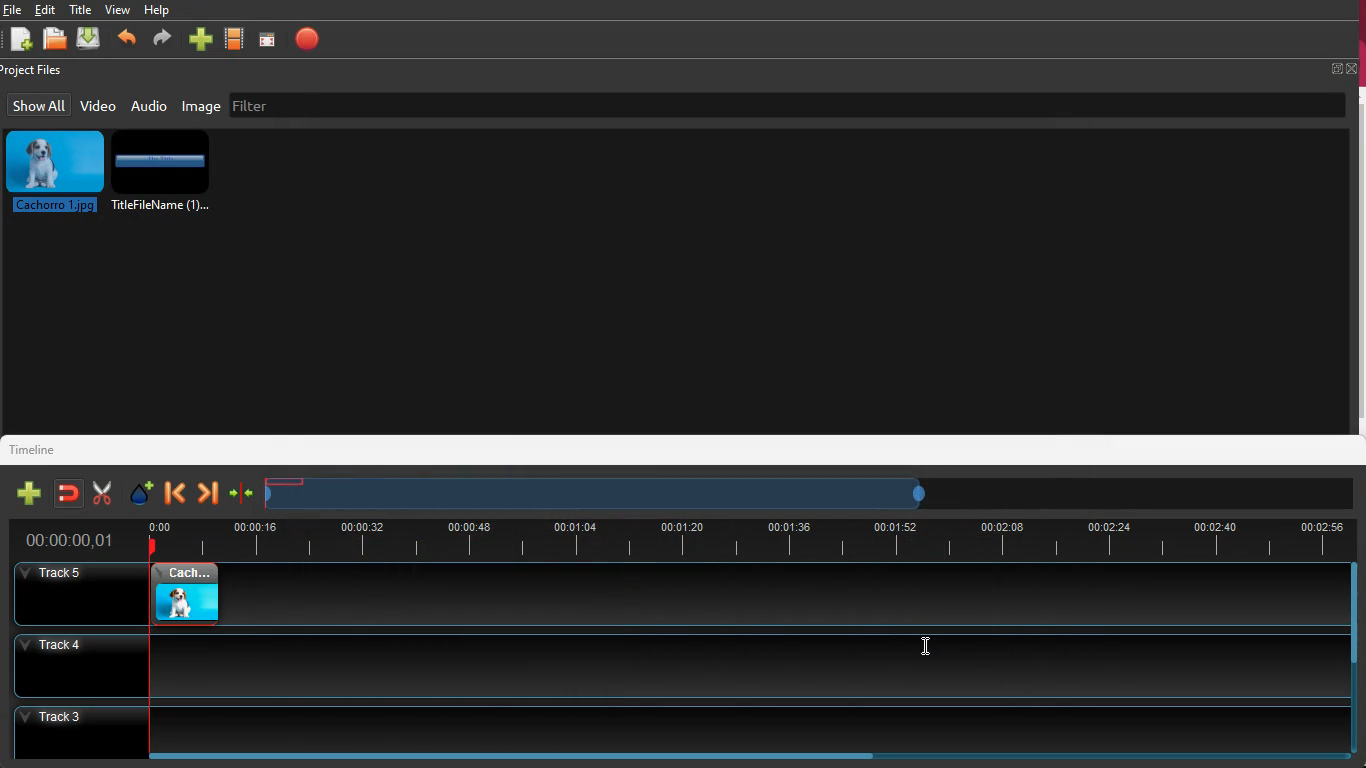  Describe the element at coordinates (166, 175) in the screenshot. I see `title` at that location.